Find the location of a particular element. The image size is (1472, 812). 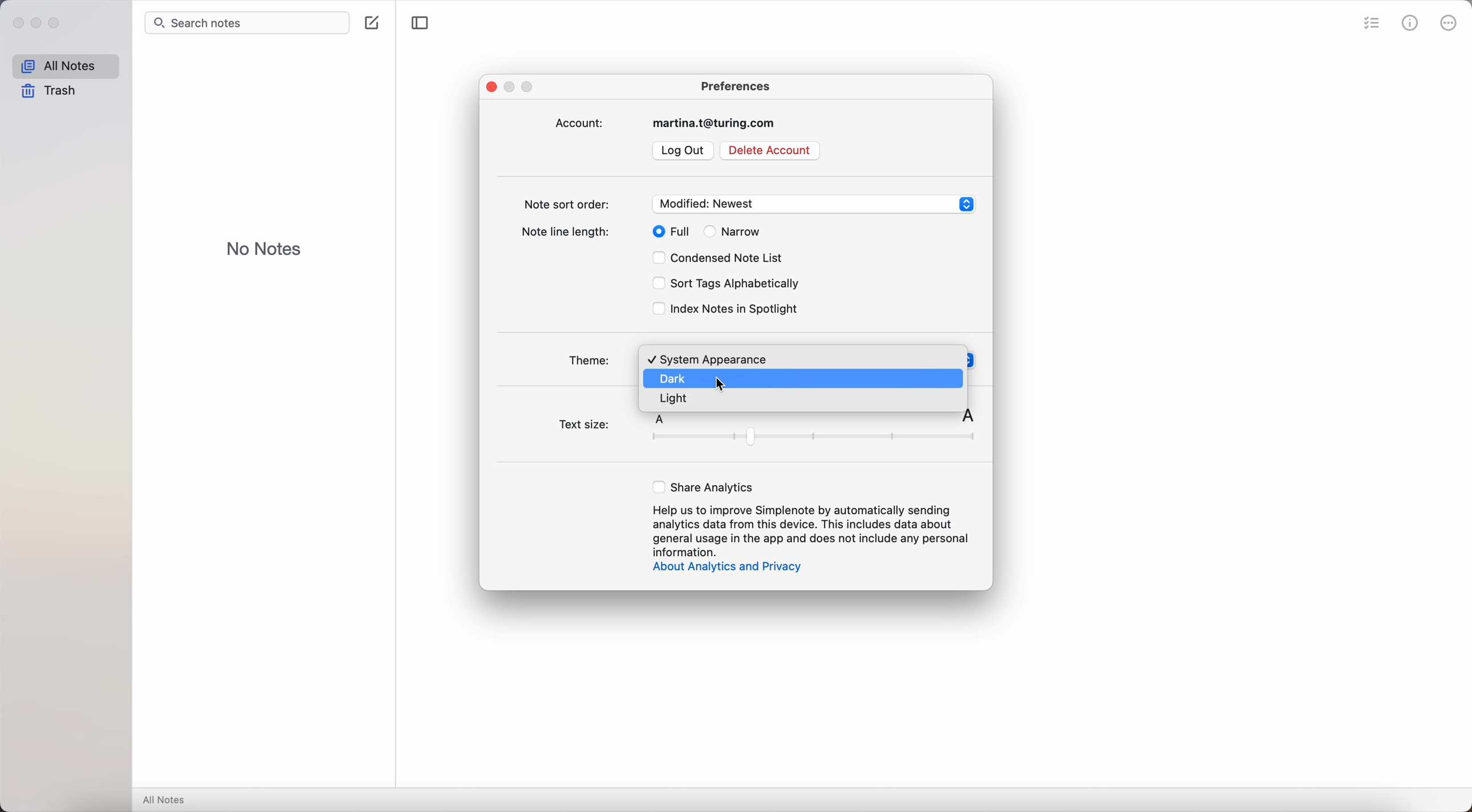

search bar is located at coordinates (247, 23).